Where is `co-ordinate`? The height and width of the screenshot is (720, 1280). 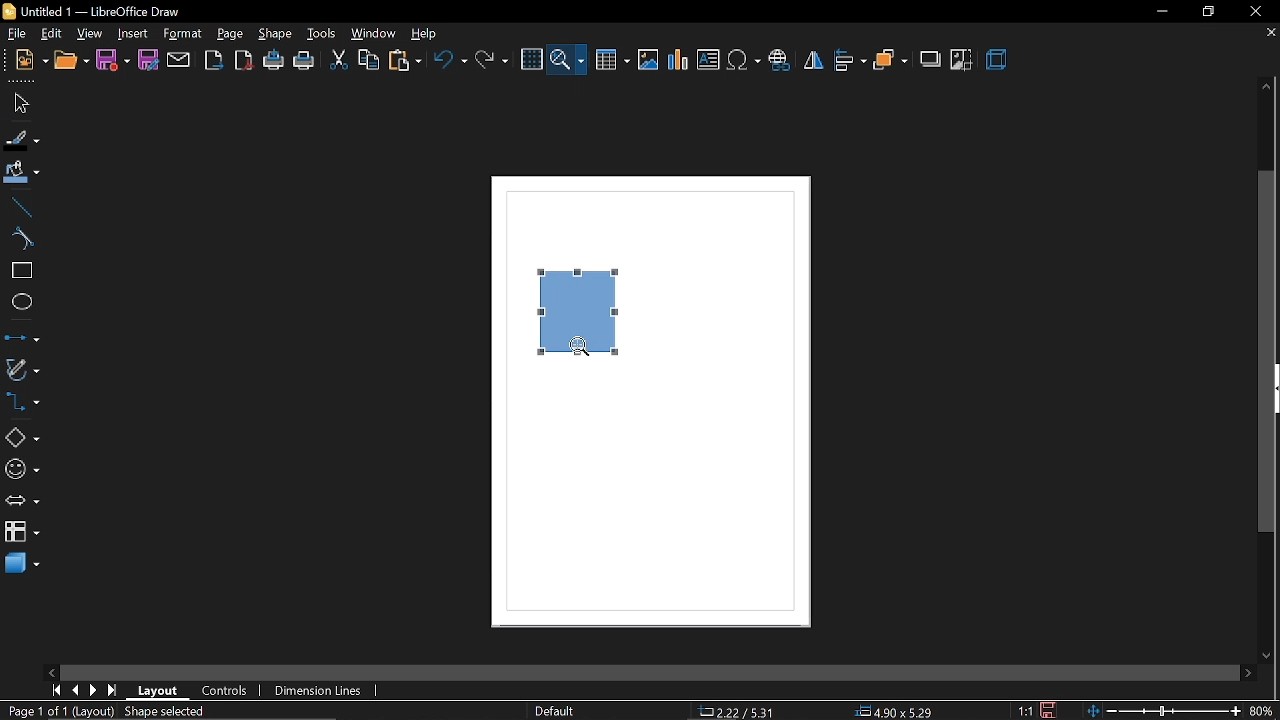 co-ordinate is located at coordinates (737, 712).